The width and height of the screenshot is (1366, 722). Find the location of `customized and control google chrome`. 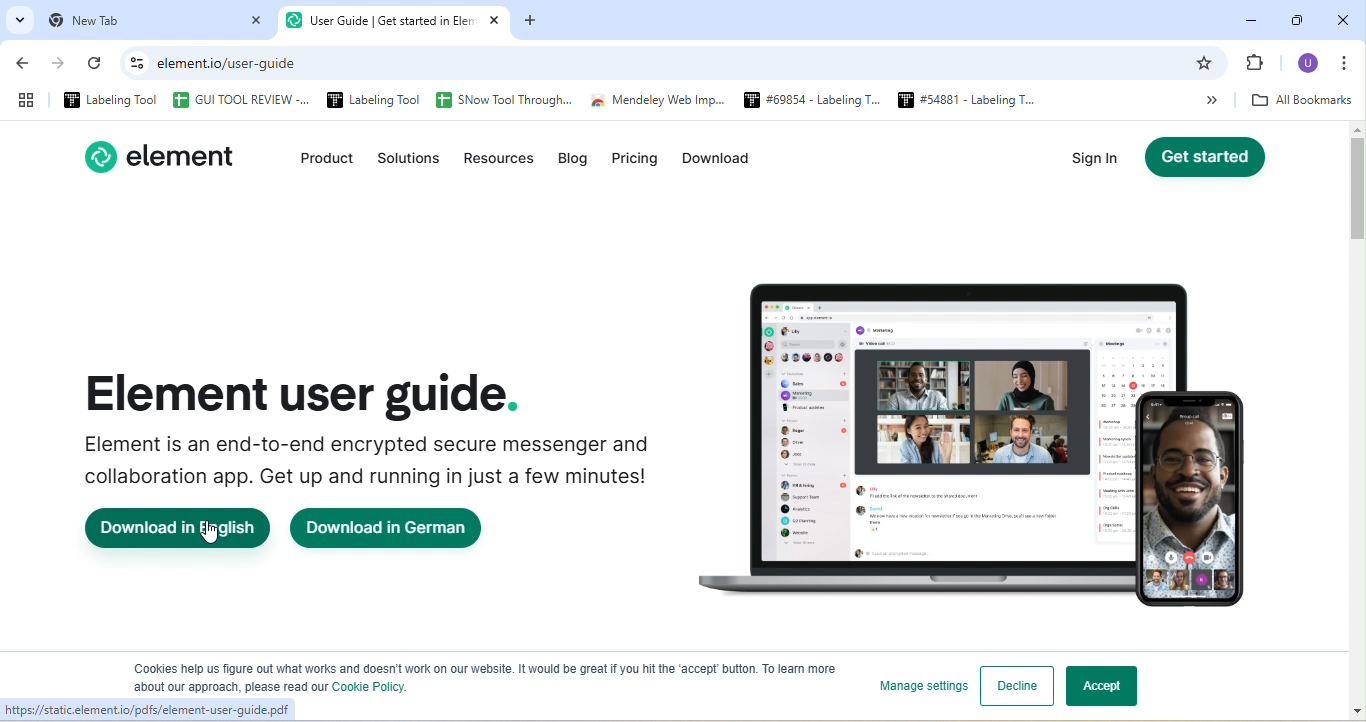

customized and control google chrome is located at coordinates (1351, 63).